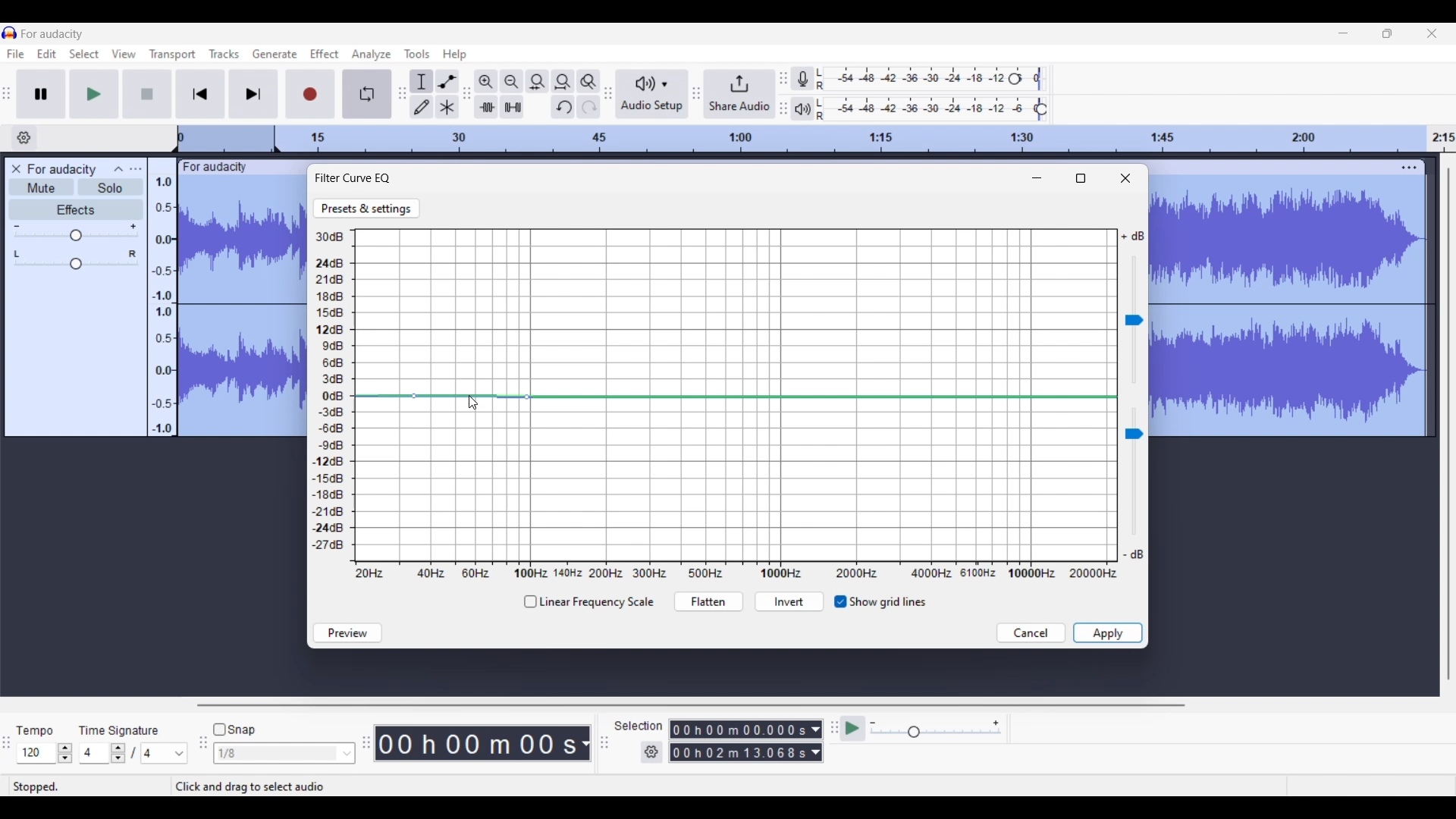  What do you see at coordinates (1031, 633) in the screenshot?
I see `Discard inputs made` at bounding box center [1031, 633].